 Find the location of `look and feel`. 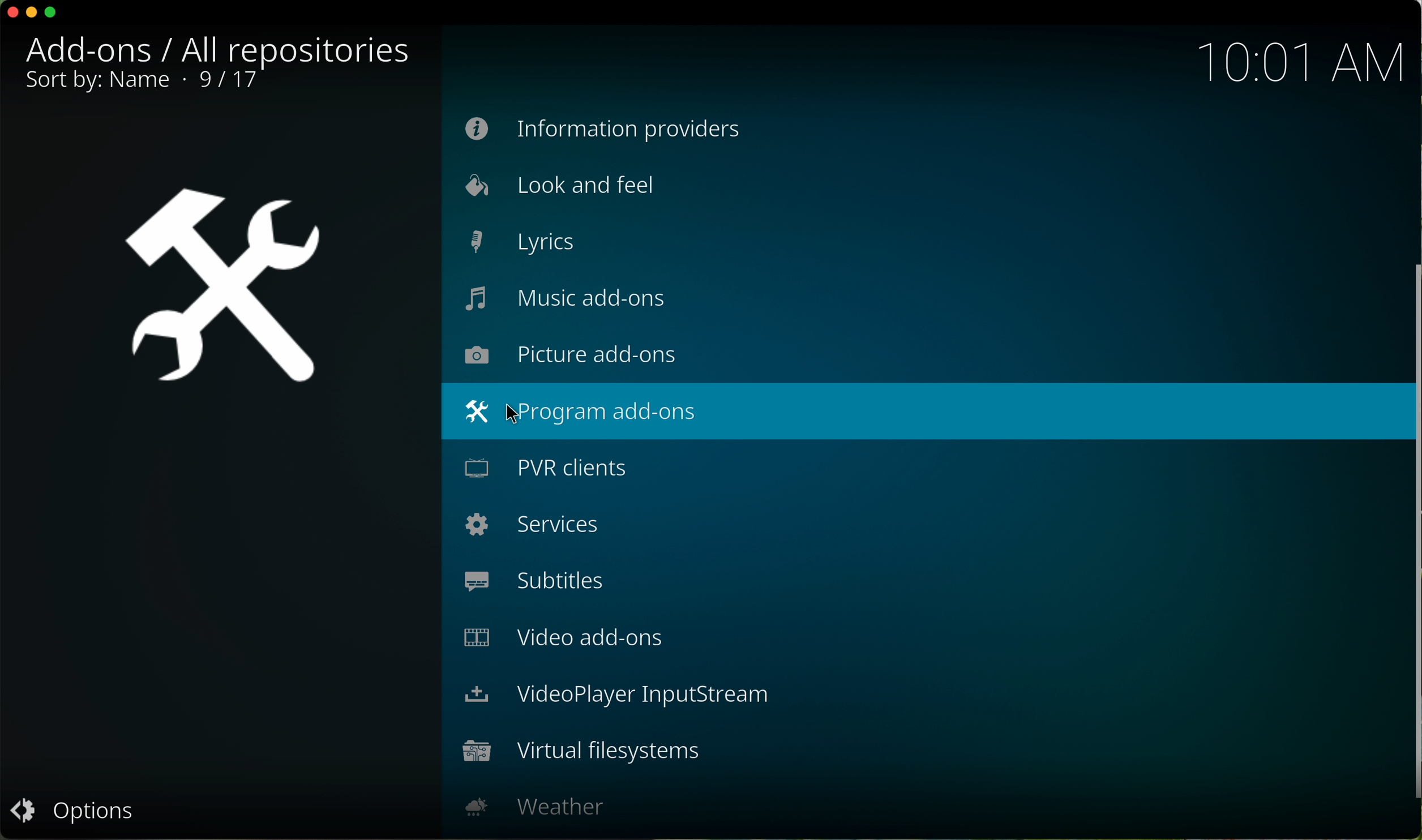

look and feel is located at coordinates (563, 187).